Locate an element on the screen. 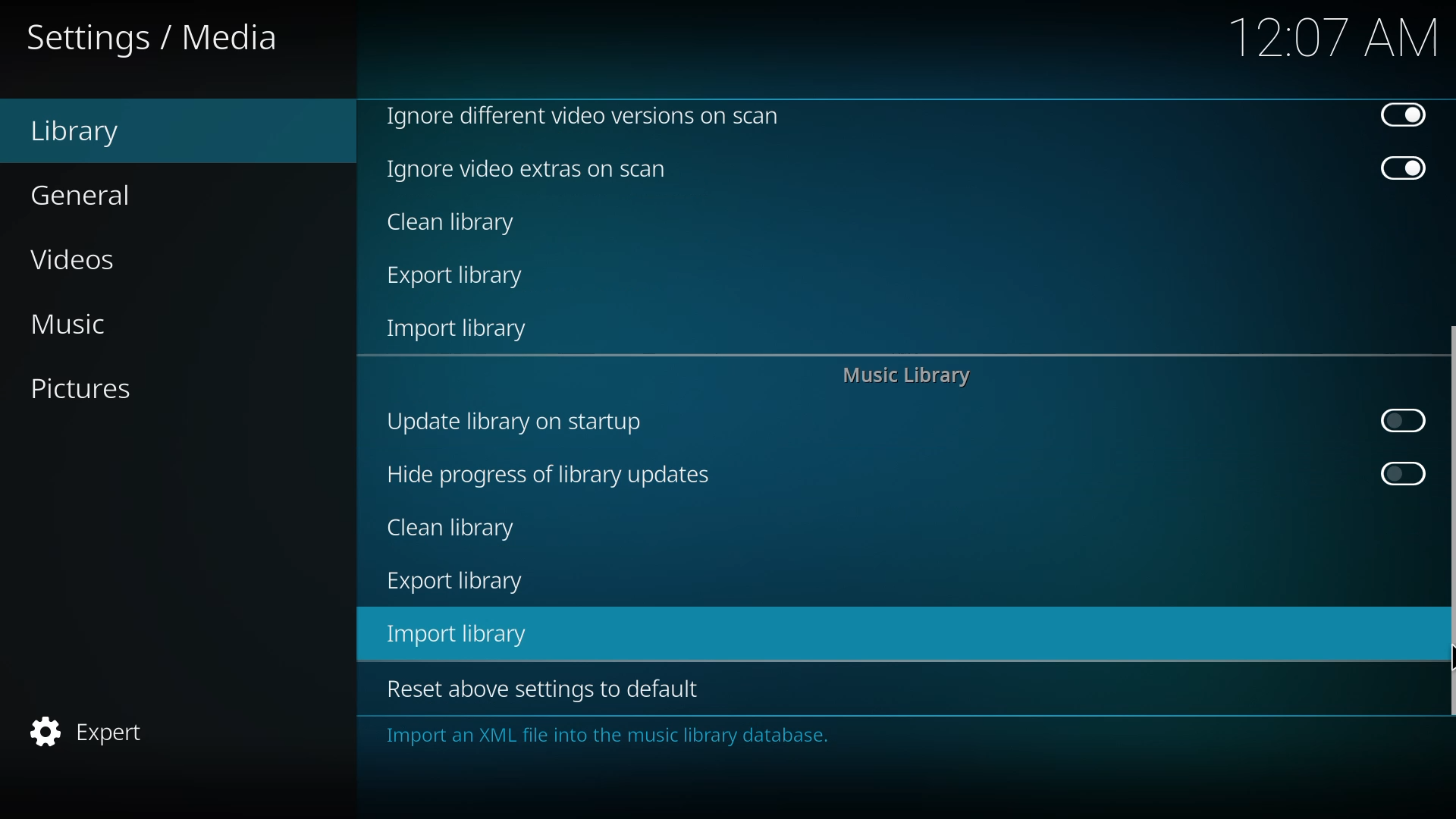 This screenshot has width=1456, height=819. videos is located at coordinates (76, 262).